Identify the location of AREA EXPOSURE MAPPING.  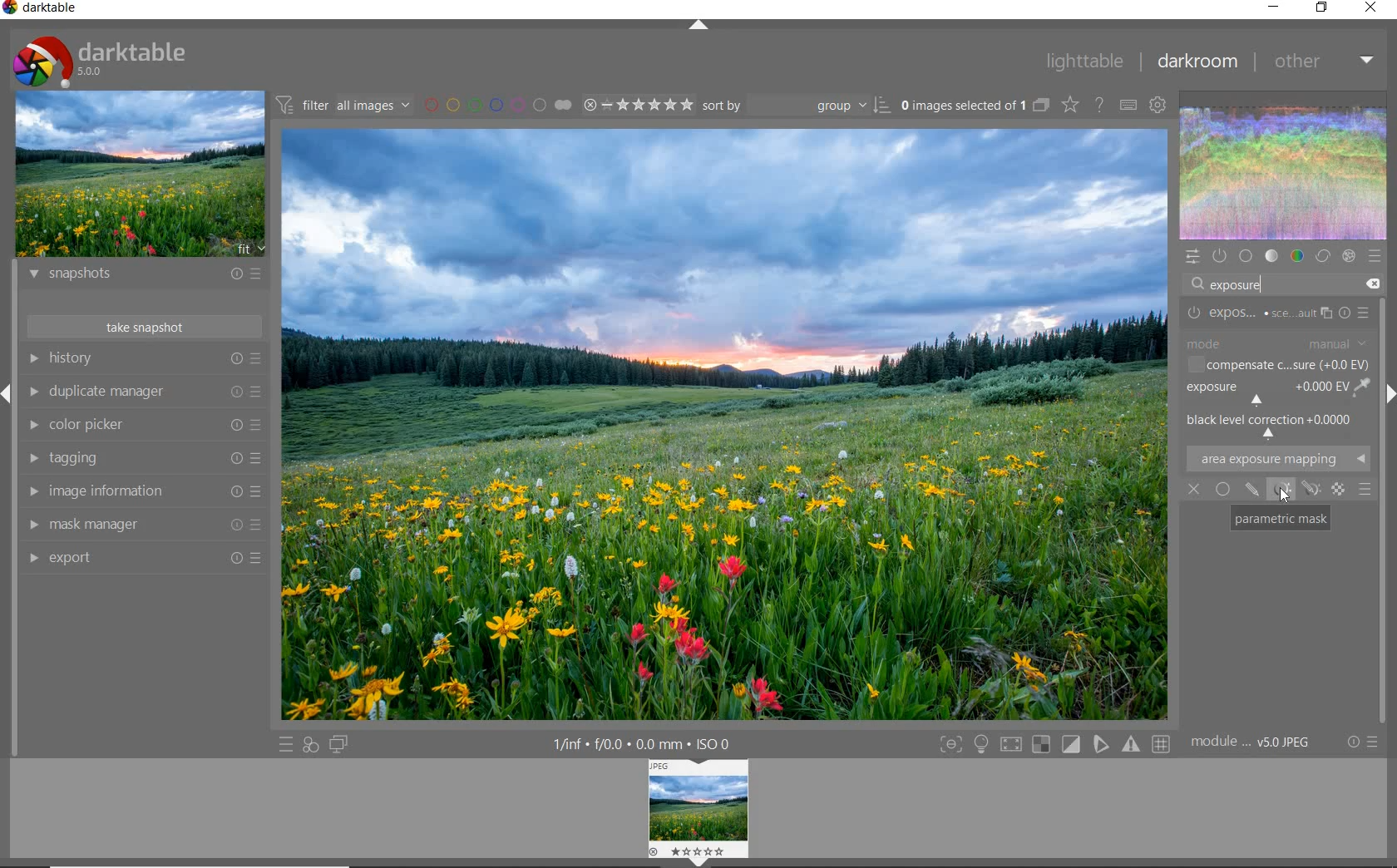
(1285, 460).